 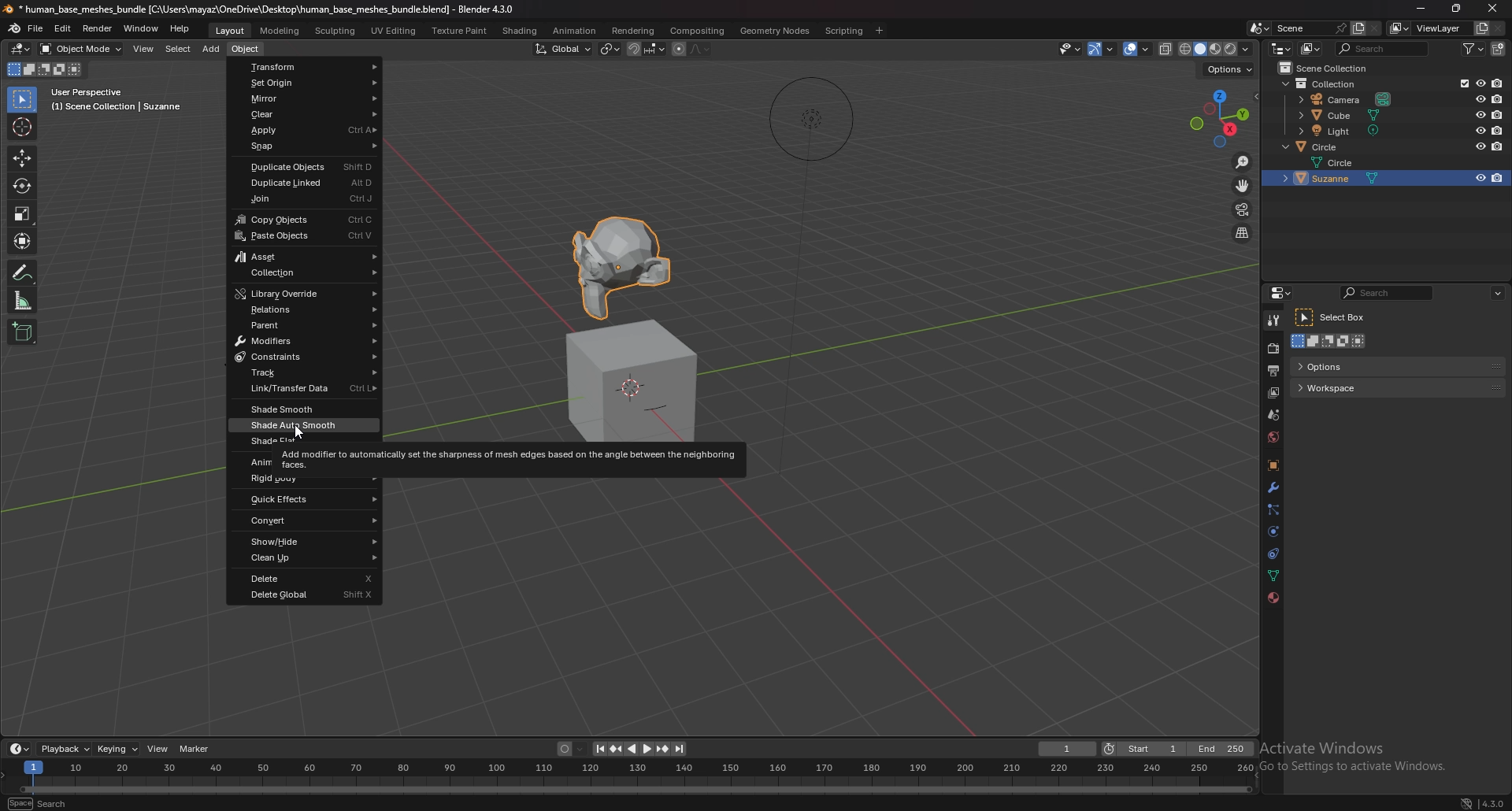 What do you see at coordinates (306, 272) in the screenshot?
I see `collection` at bounding box center [306, 272].